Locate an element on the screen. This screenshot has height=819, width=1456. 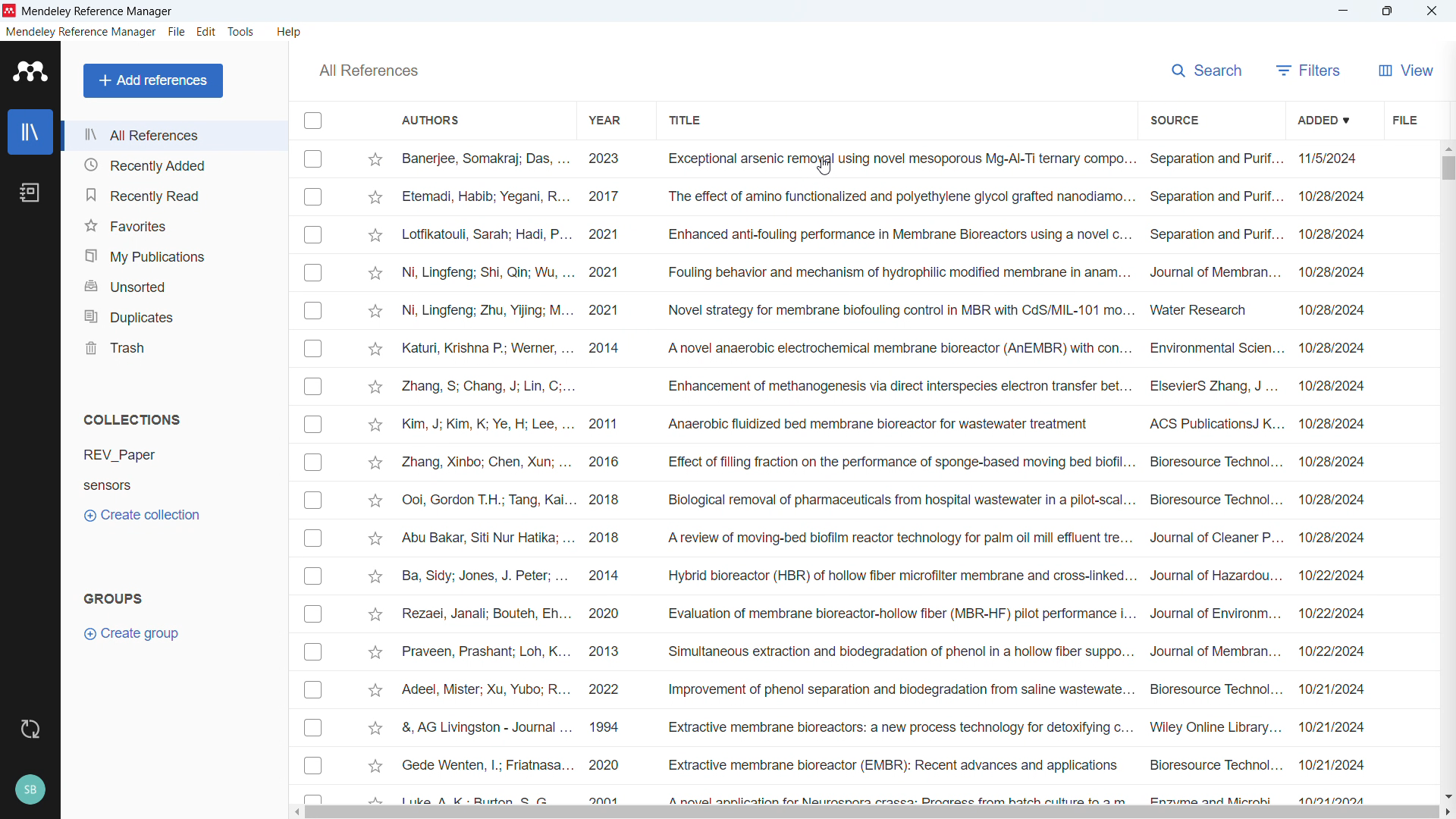
add references is located at coordinates (154, 80).